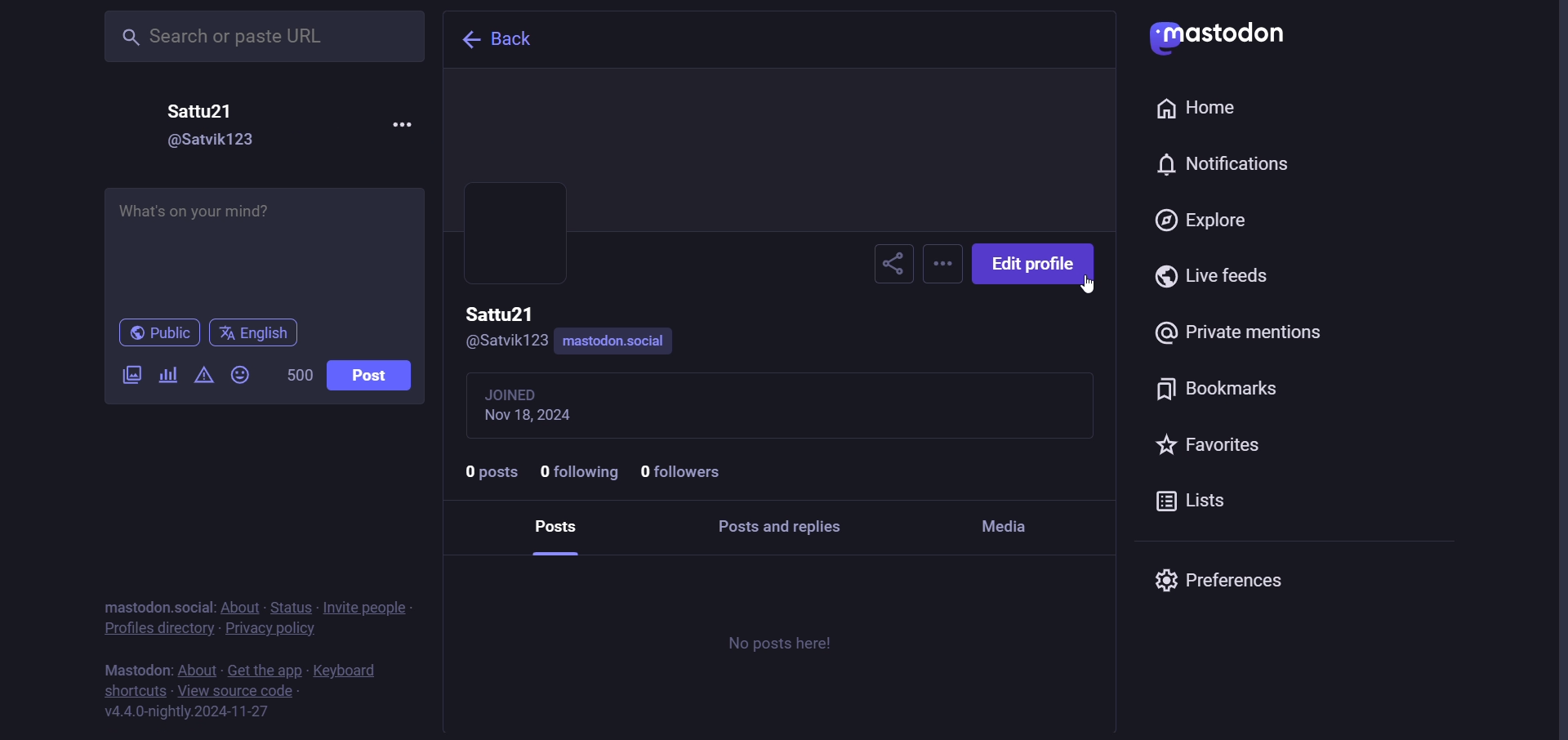 This screenshot has width=1568, height=740. What do you see at coordinates (296, 376) in the screenshot?
I see `500` at bounding box center [296, 376].